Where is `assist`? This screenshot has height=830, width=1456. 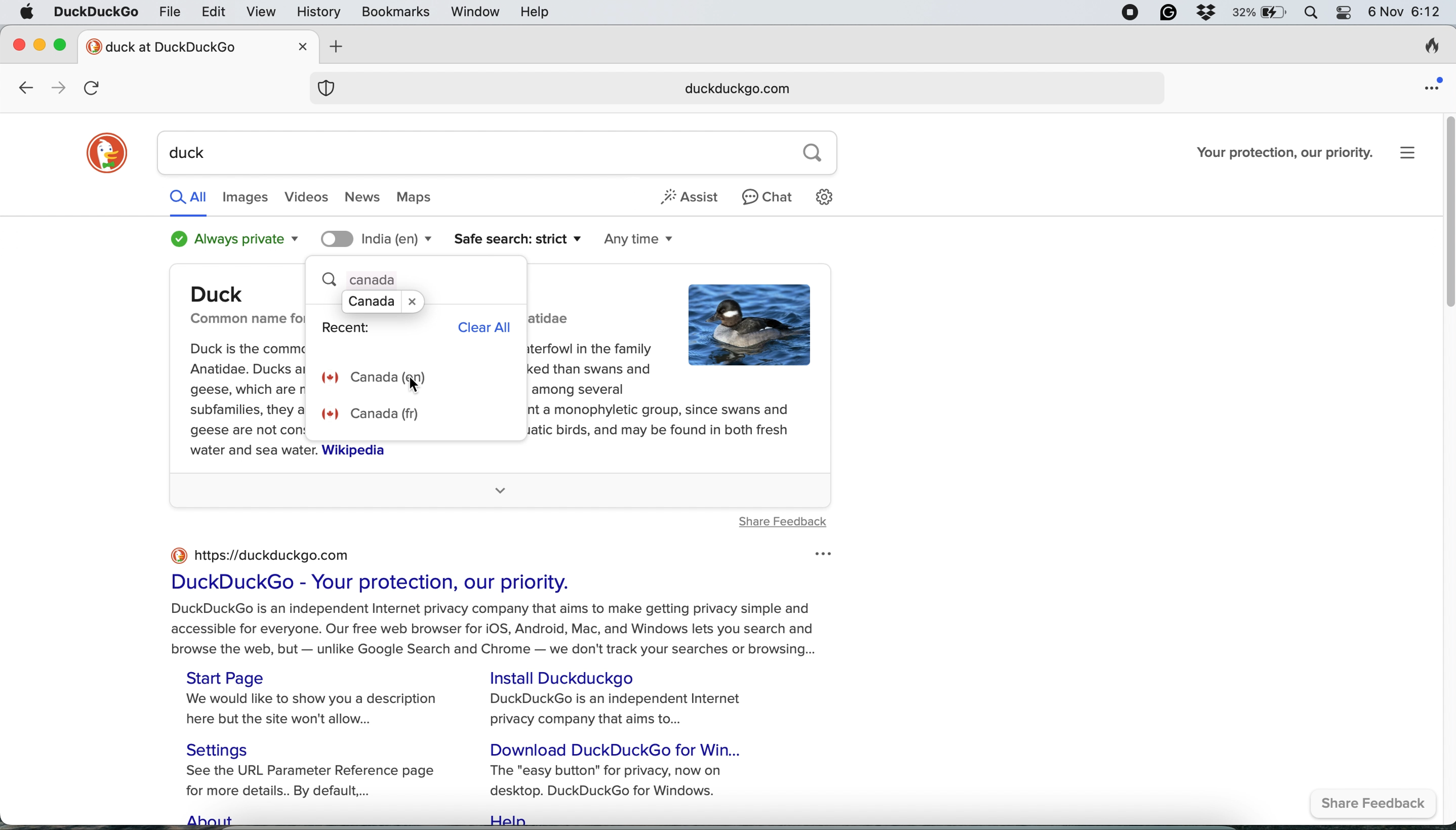
assist is located at coordinates (693, 196).